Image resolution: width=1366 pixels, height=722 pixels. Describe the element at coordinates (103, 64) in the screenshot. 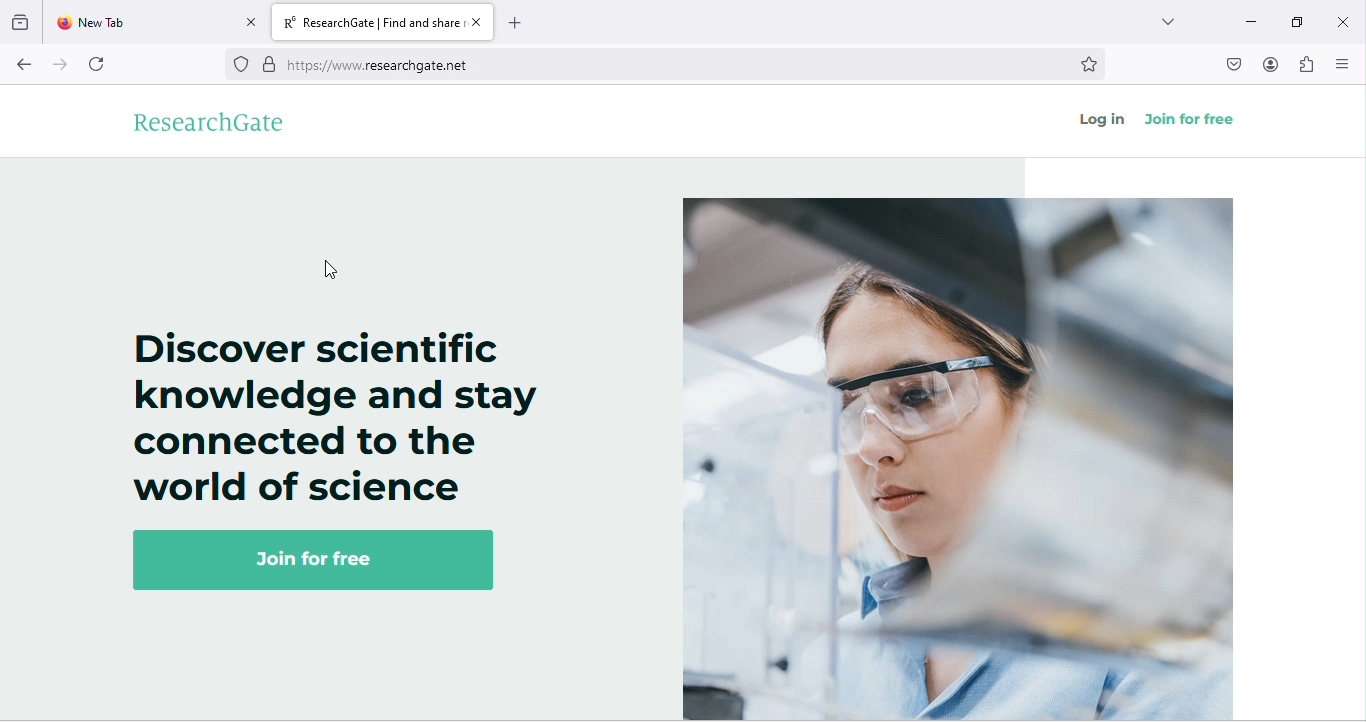

I see `refresh` at that location.